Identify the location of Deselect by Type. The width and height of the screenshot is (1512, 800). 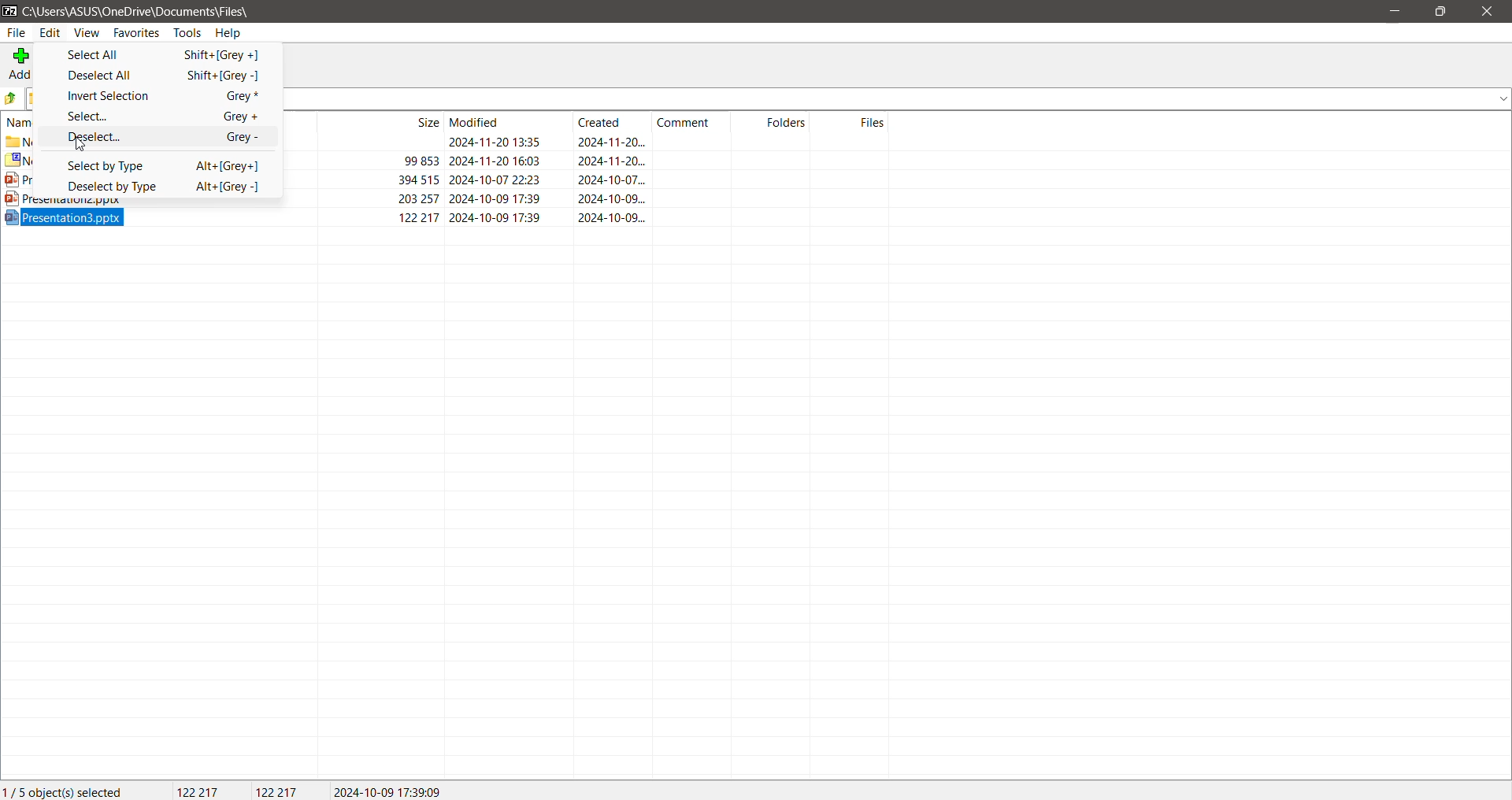
(111, 187).